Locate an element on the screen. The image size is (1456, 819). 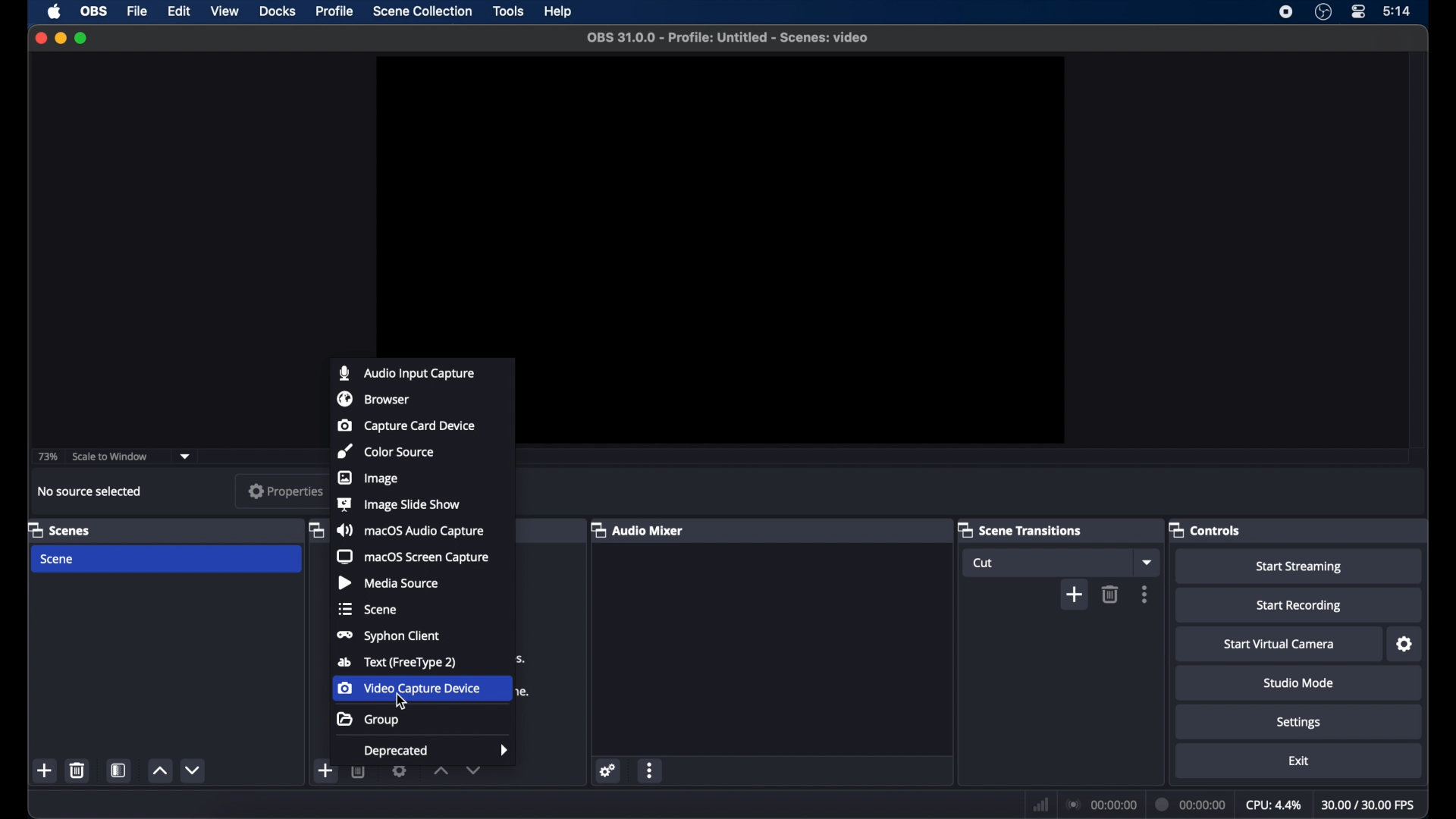
scale to window is located at coordinates (112, 457).